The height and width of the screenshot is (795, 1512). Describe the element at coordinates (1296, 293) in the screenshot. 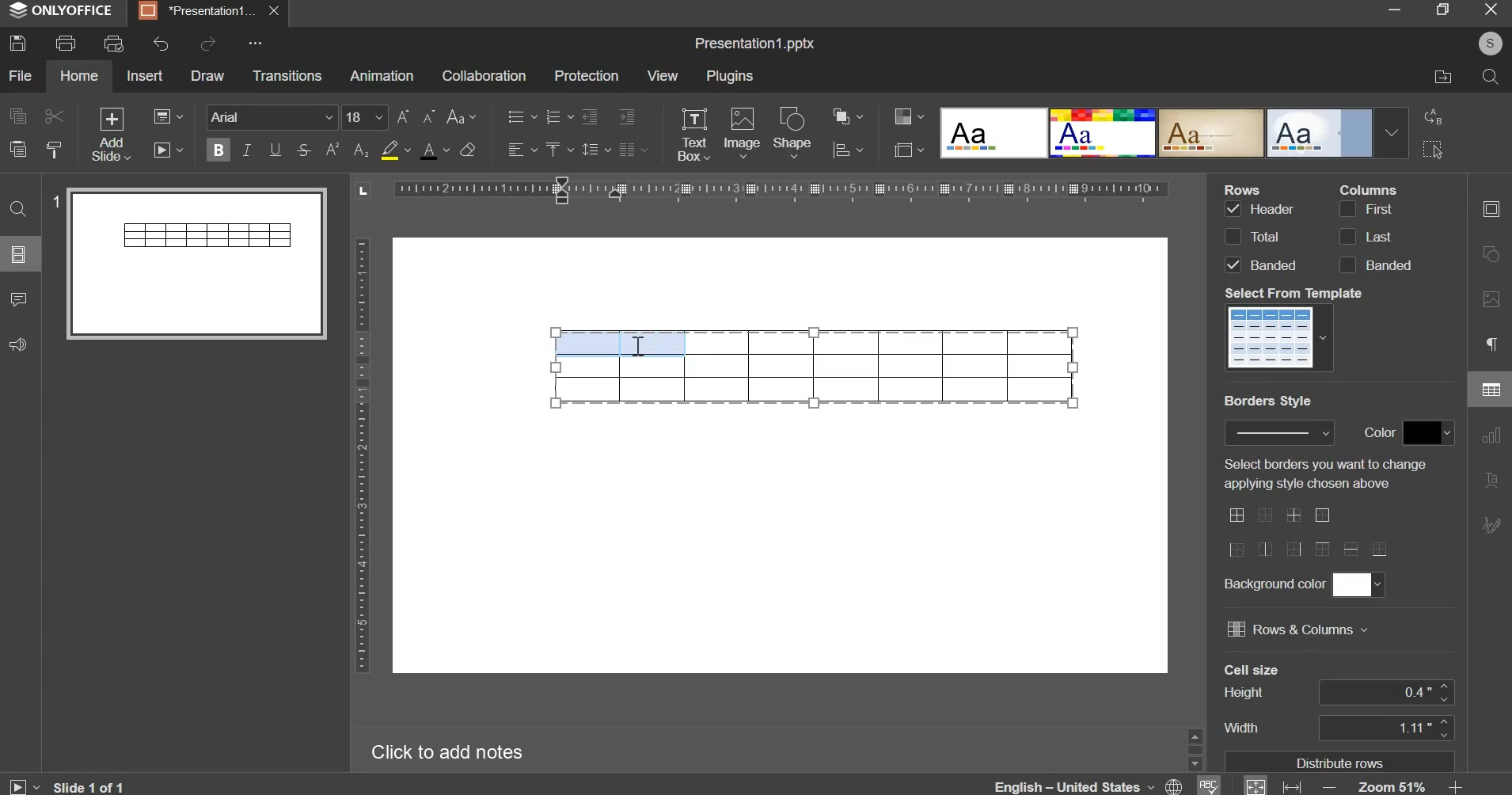

I see `Select From Templete` at that location.